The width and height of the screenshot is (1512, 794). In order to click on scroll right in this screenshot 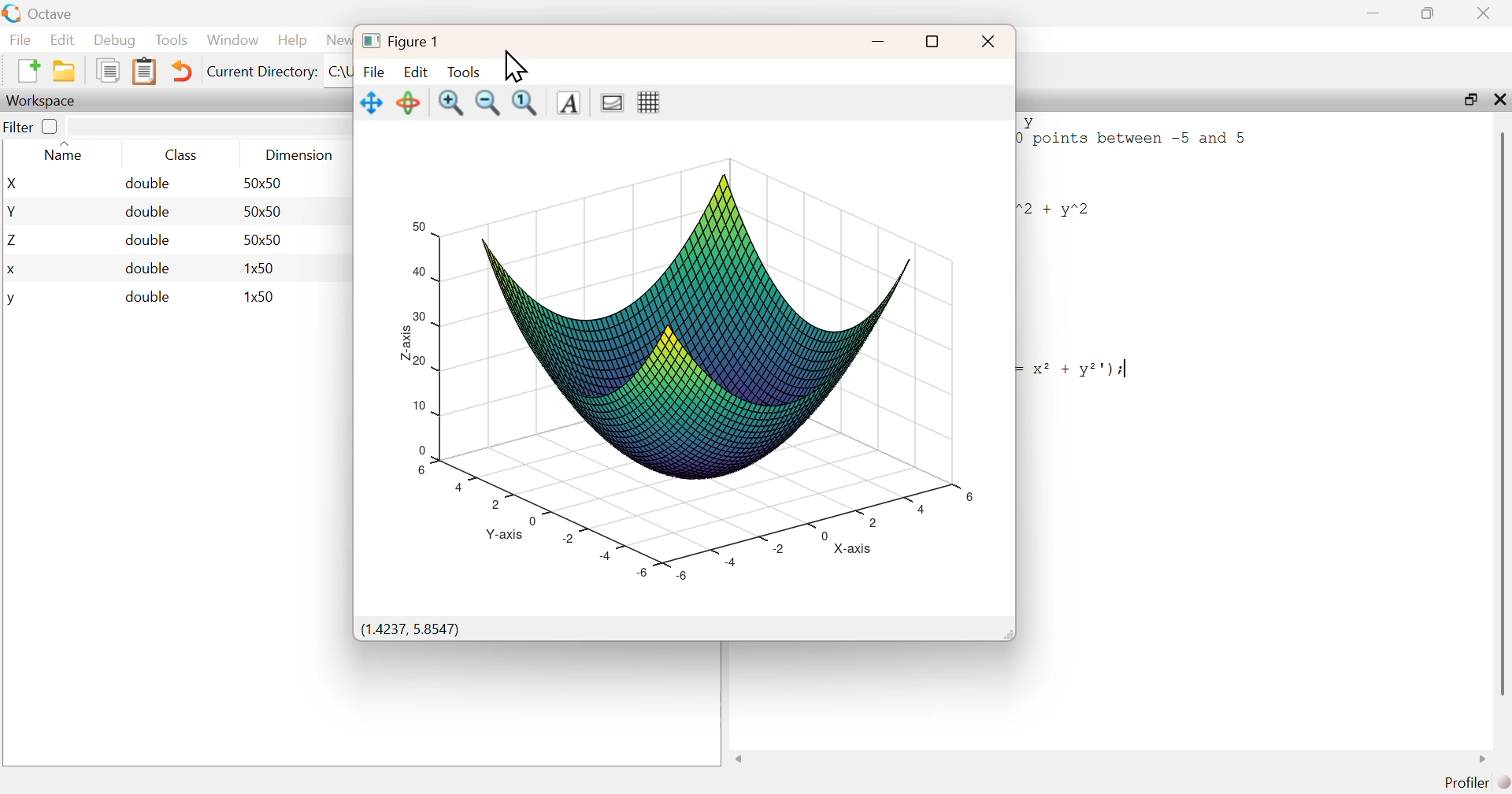, I will do `click(1484, 759)`.